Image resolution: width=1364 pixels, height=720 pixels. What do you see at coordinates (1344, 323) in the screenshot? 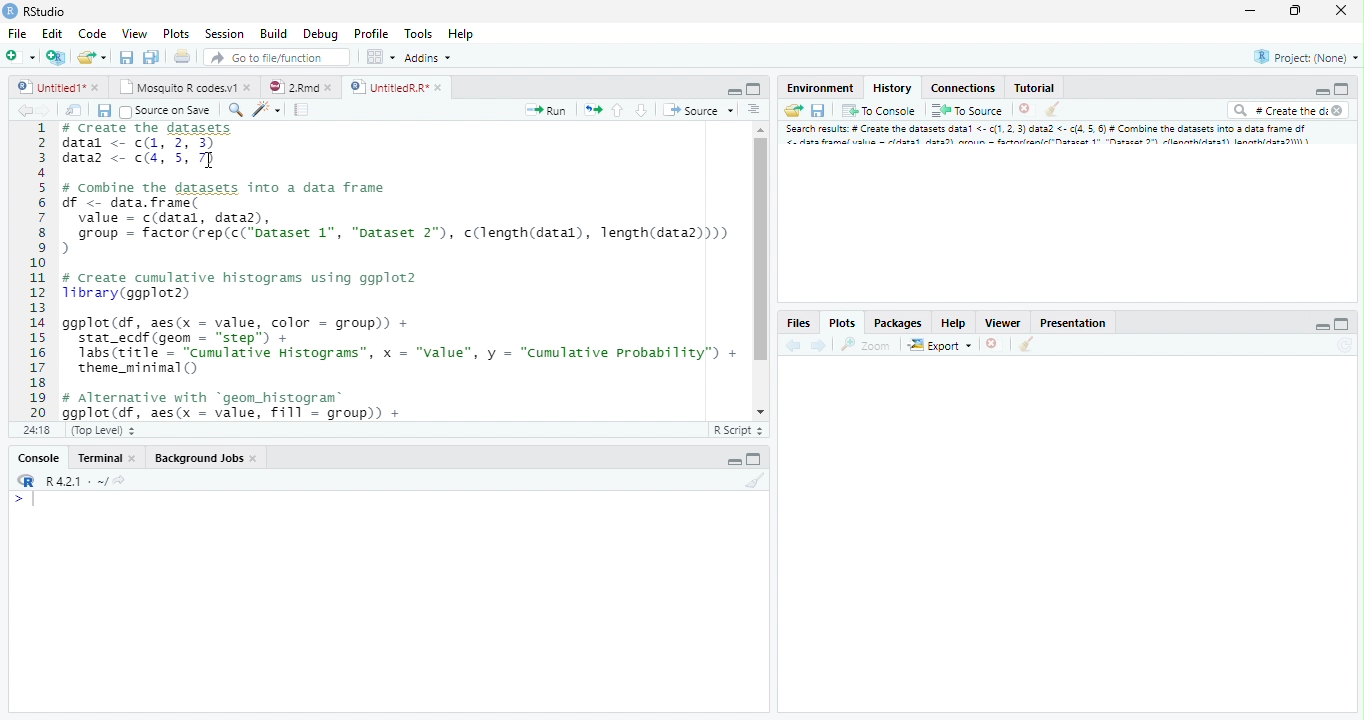
I see `Maximize` at bounding box center [1344, 323].